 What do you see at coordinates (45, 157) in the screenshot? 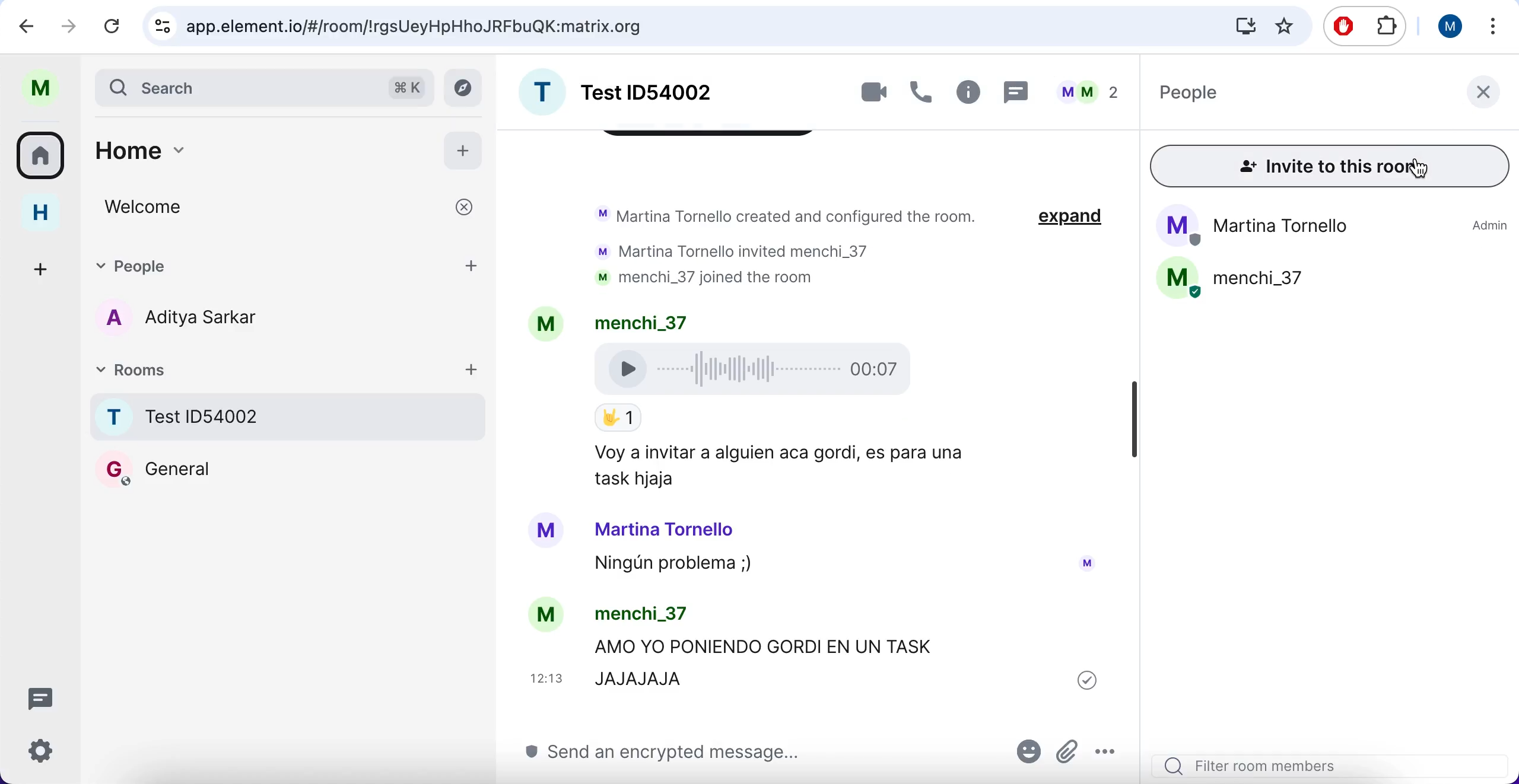
I see `rooms` at bounding box center [45, 157].